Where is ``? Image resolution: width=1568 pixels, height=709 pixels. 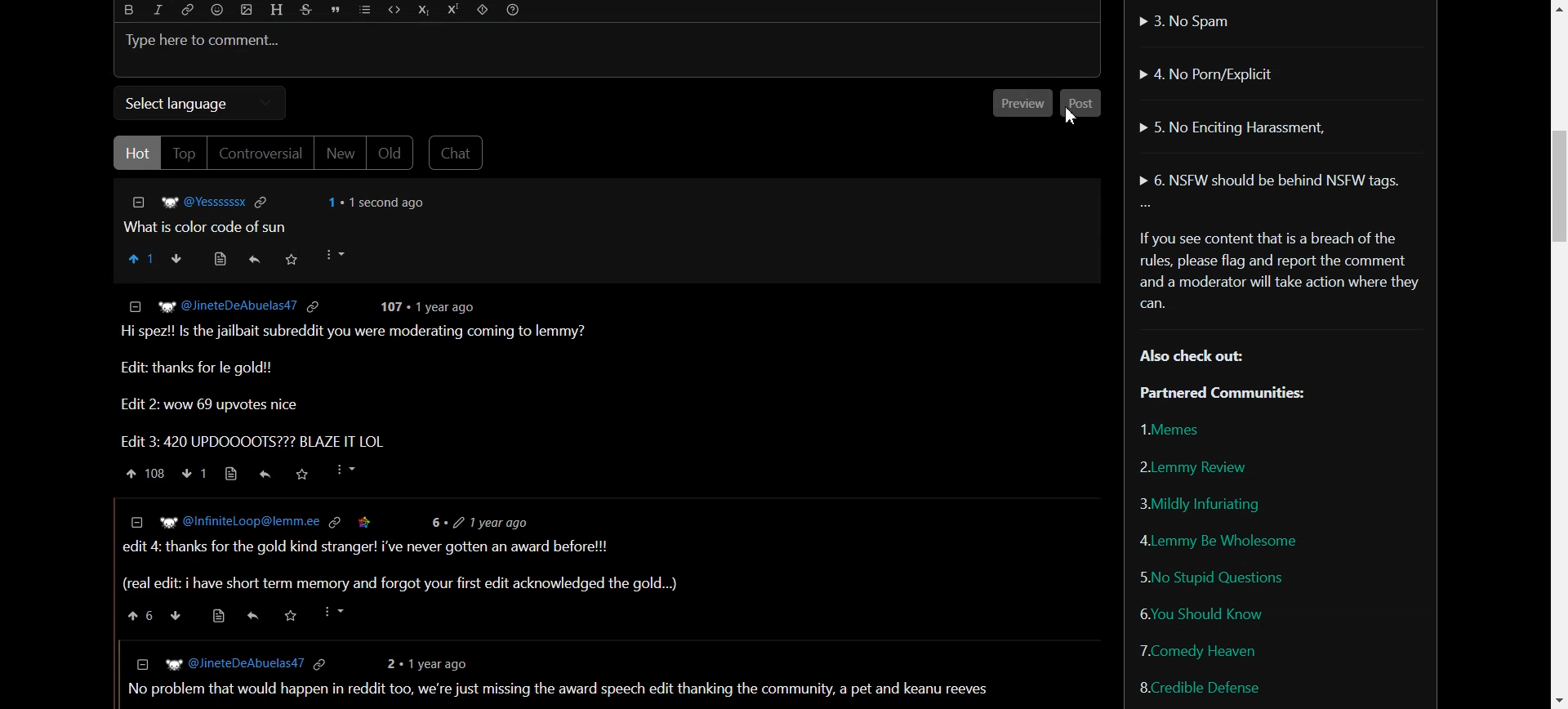  is located at coordinates (1083, 103).